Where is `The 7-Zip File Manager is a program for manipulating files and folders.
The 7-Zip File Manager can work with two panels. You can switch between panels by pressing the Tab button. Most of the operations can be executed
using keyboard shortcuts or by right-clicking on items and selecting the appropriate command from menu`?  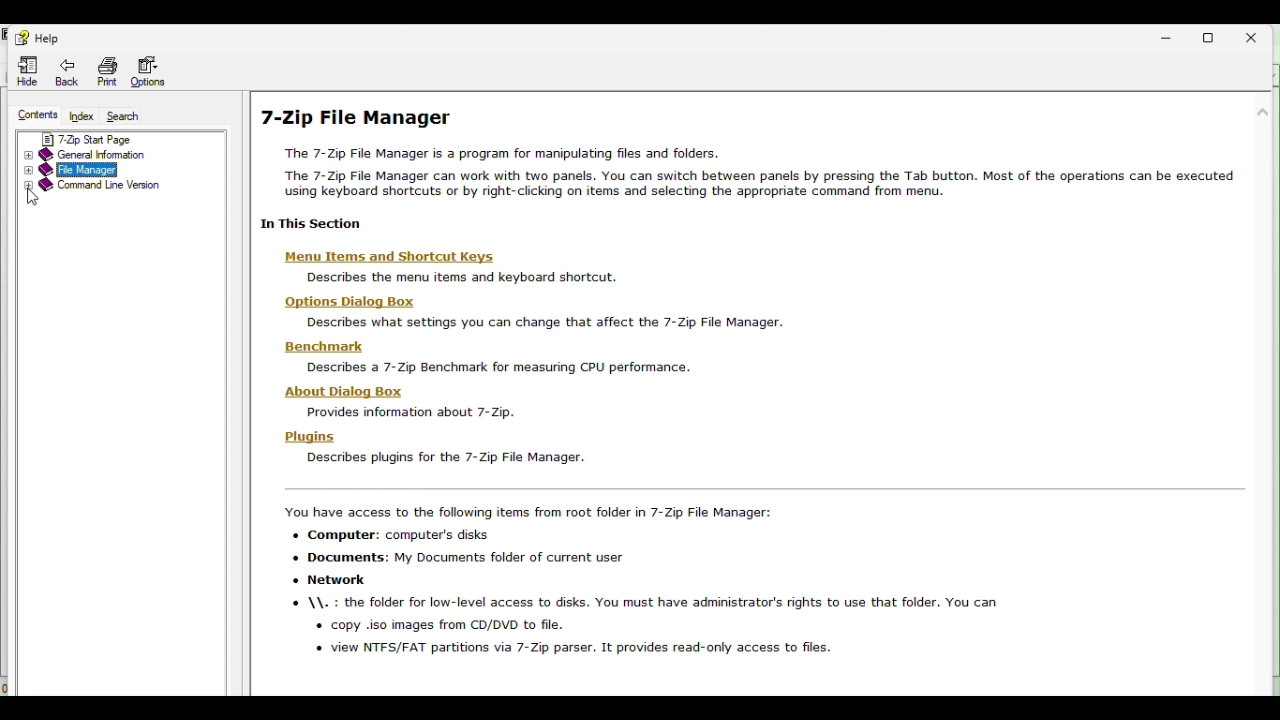 The 7-Zip File Manager is a program for manipulating files and folders.
The 7-Zip File Manager can work with two panels. You can switch between panels by pressing the Tab button. Most of the operations can be executed
using keyboard shortcuts or by right-clicking on items and selecting the appropriate command from menu is located at coordinates (754, 175).